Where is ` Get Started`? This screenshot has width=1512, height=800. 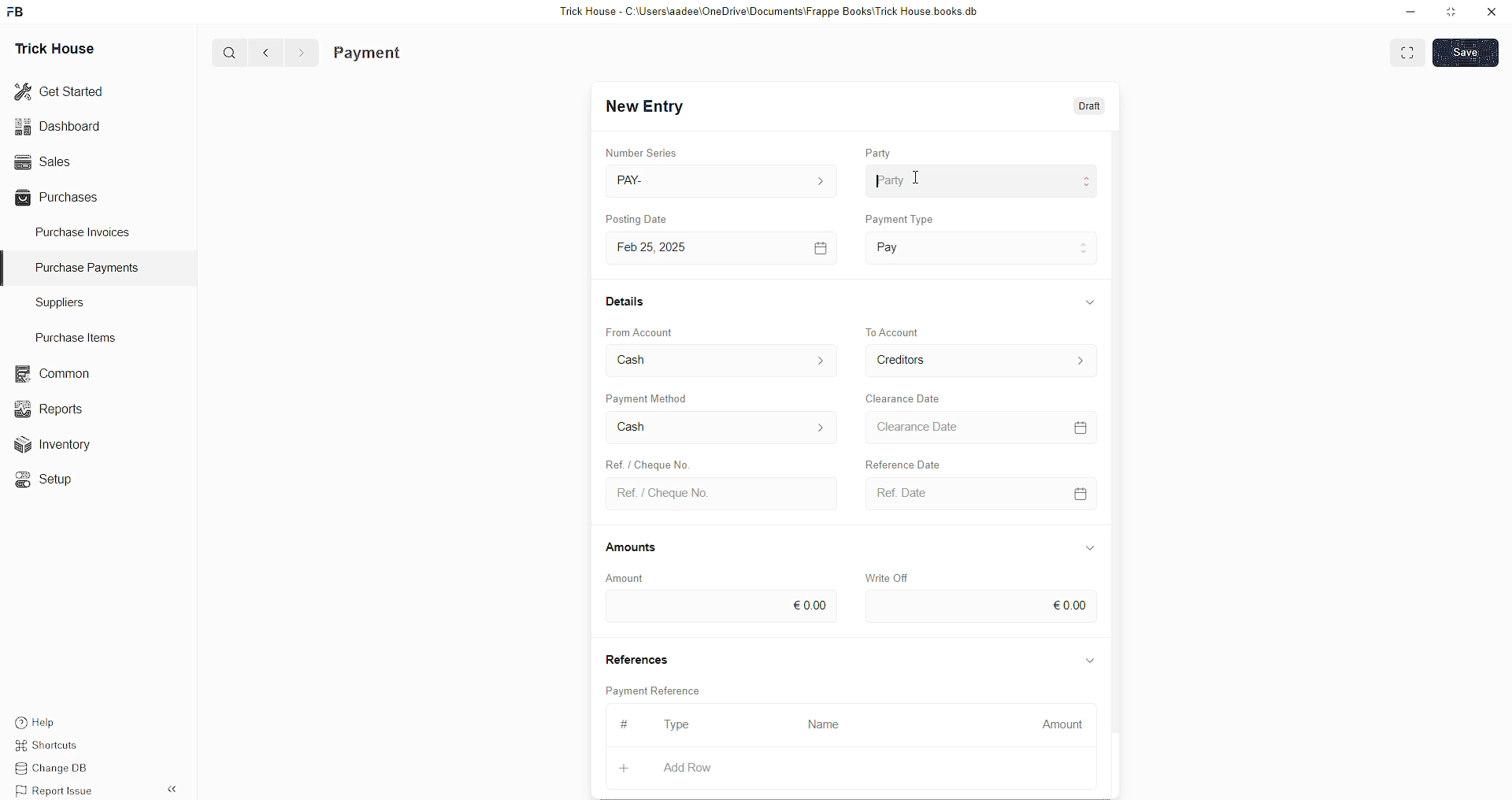  Get Started is located at coordinates (60, 90).